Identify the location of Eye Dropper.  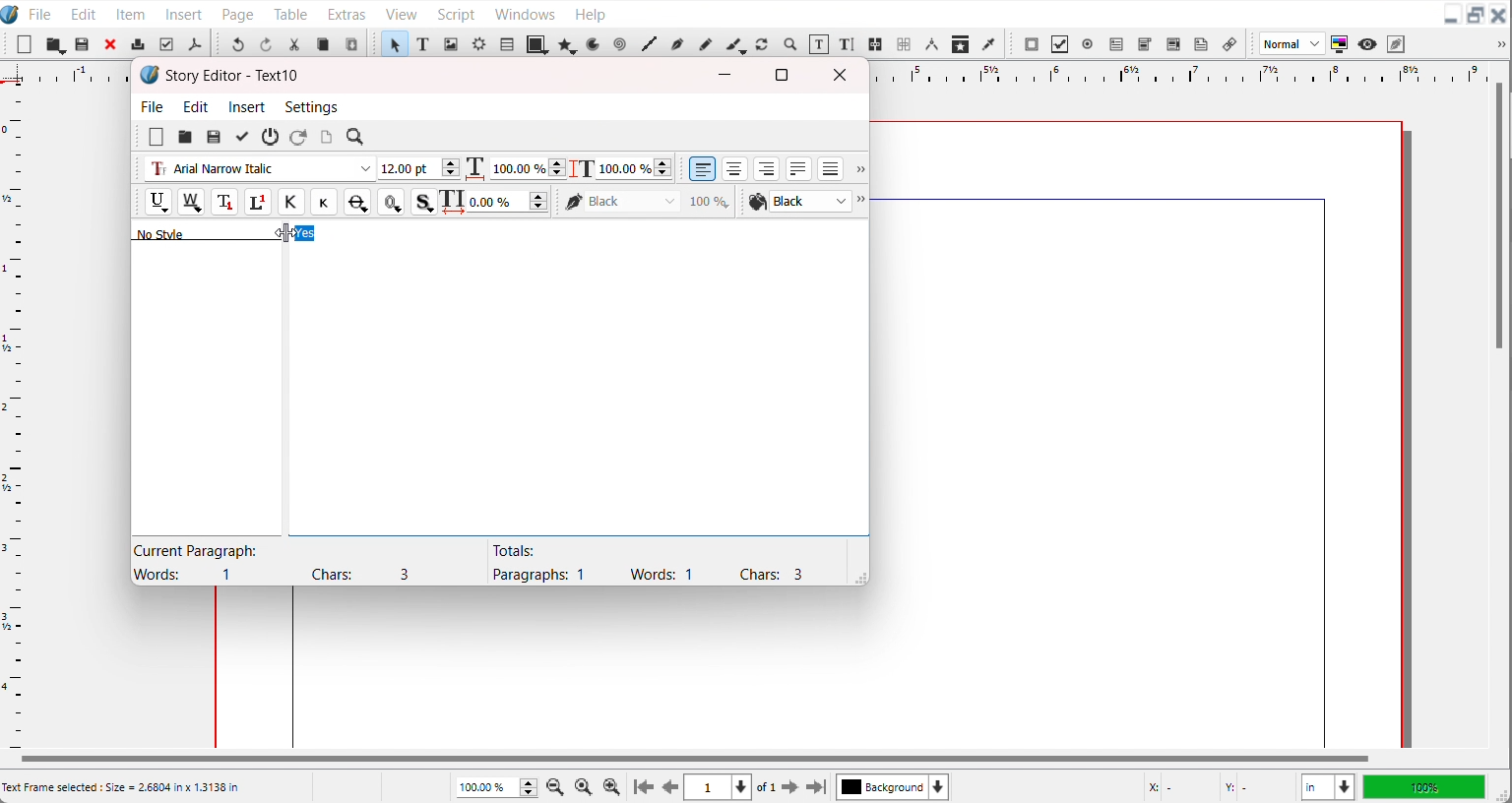
(990, 43).